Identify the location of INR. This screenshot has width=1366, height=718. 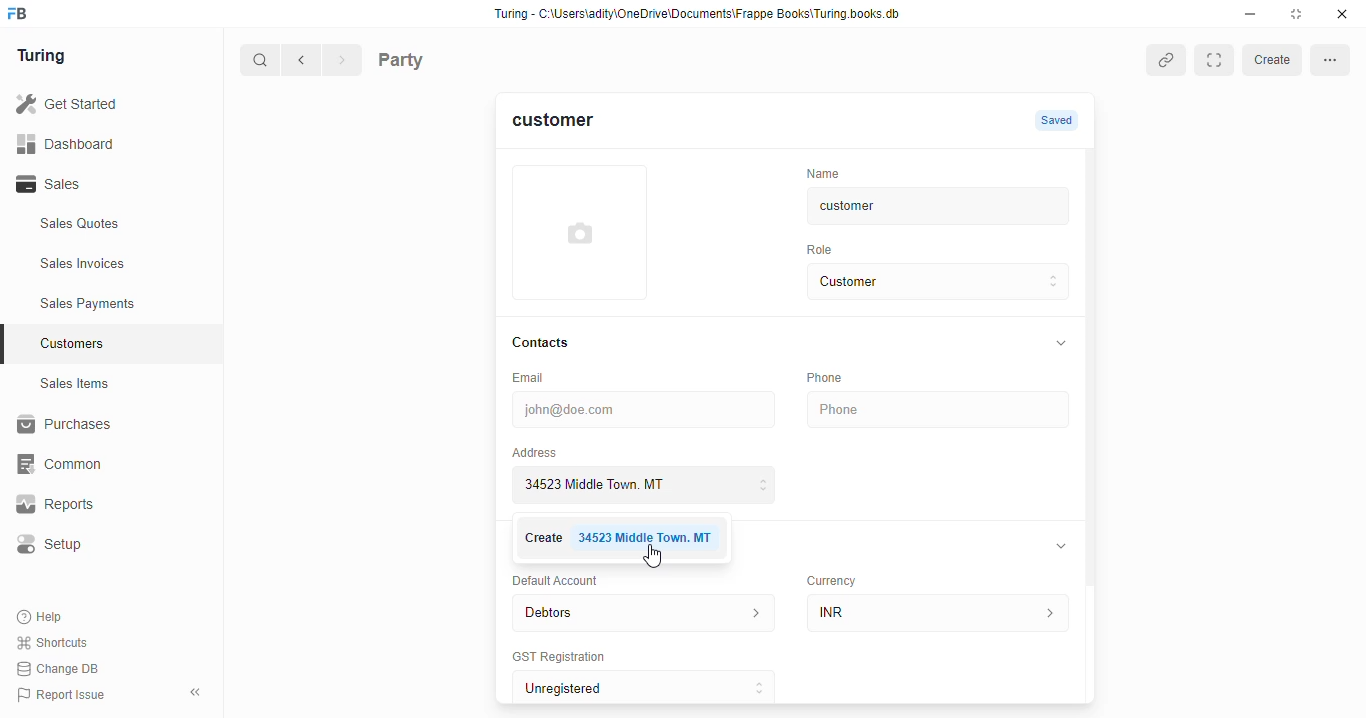
(939, 609).